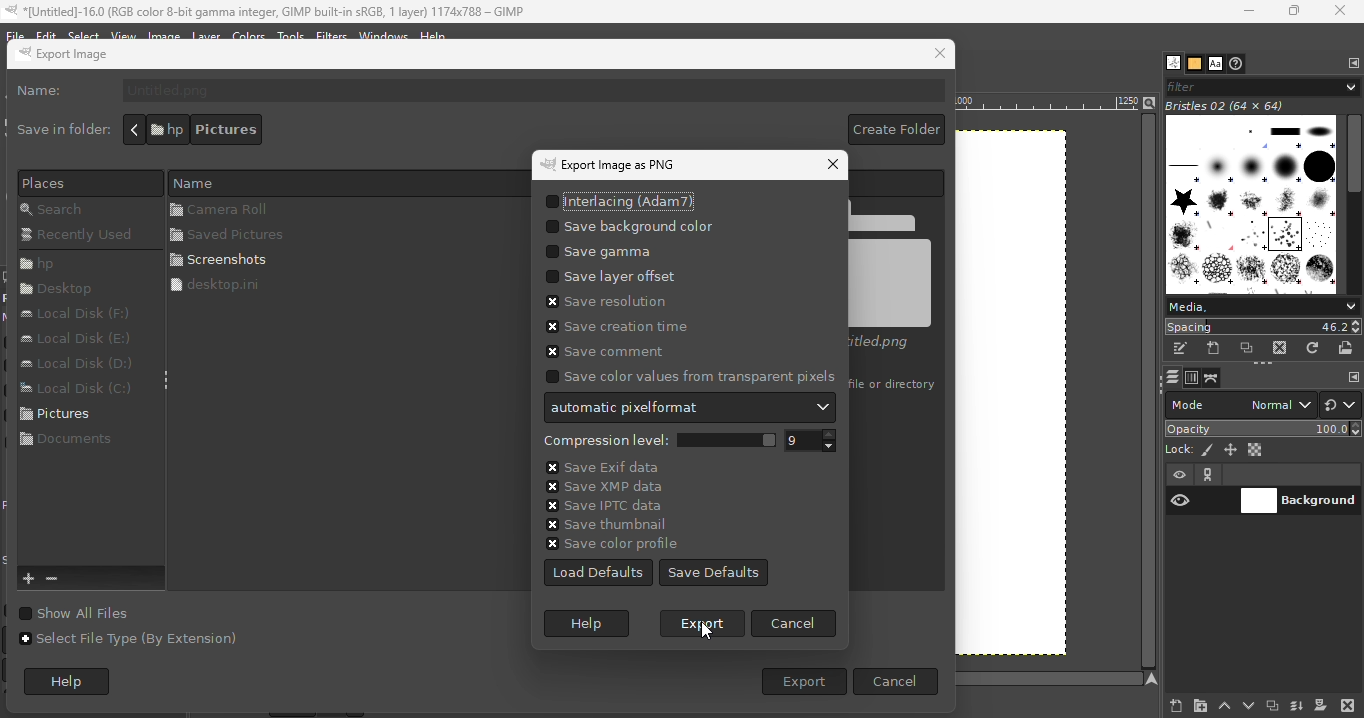  Describe the element at coordinates (1229, 106) in the screenshot. I see `Bristles 02 (64 x 64)` at that location.